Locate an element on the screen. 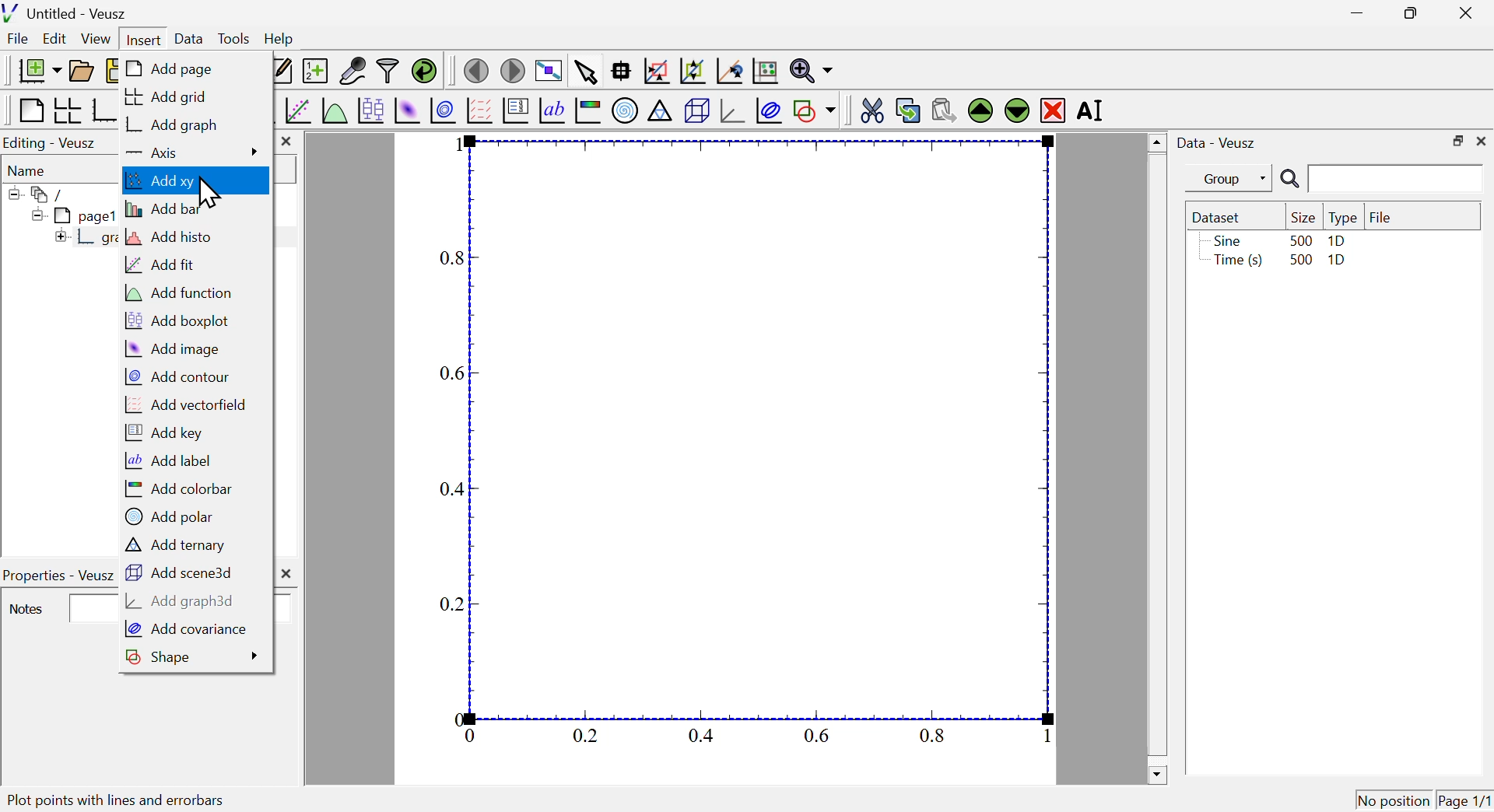 The image size is (1494, 812). add covariance is located at coordinates (188, 631).